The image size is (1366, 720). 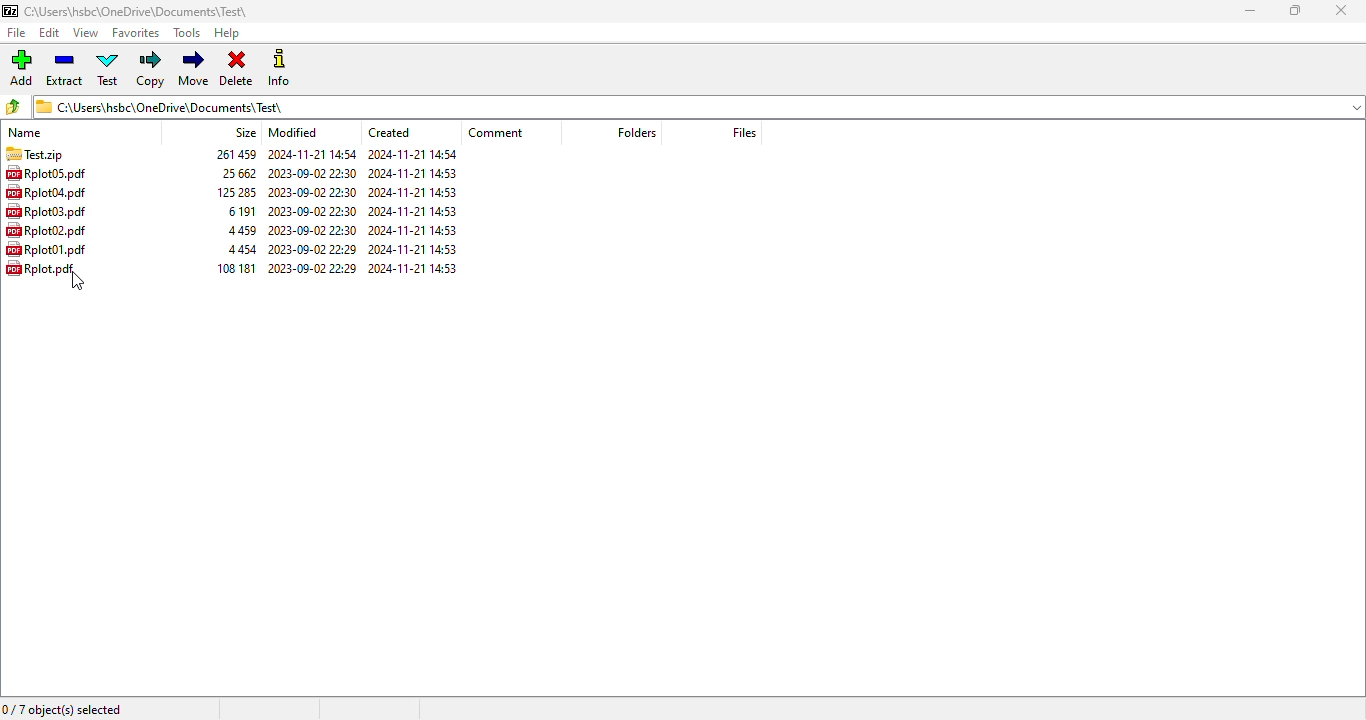 What do you see at coordinates (744, 132) in the screenshot?
I see `files` at bounding box center [744, 132].